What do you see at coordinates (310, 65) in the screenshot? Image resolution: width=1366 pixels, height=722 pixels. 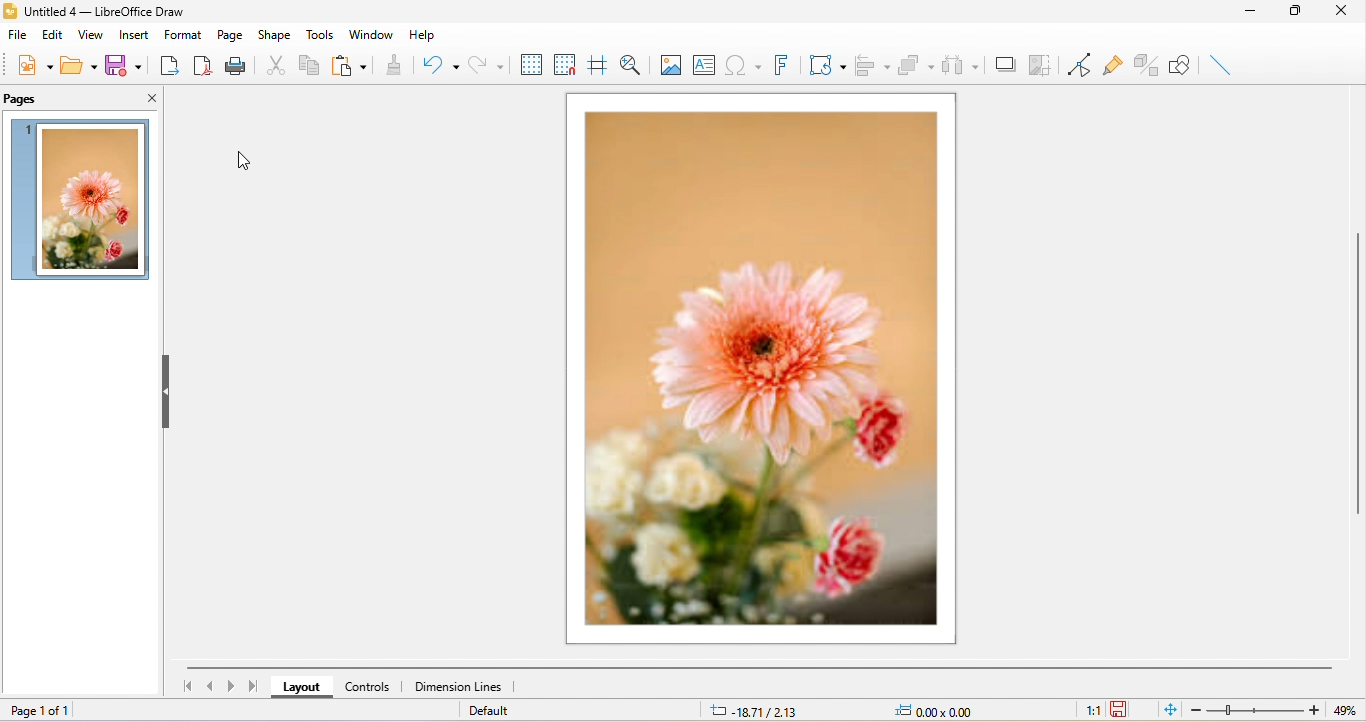 I see `copy` at bounding box center [310, 65].